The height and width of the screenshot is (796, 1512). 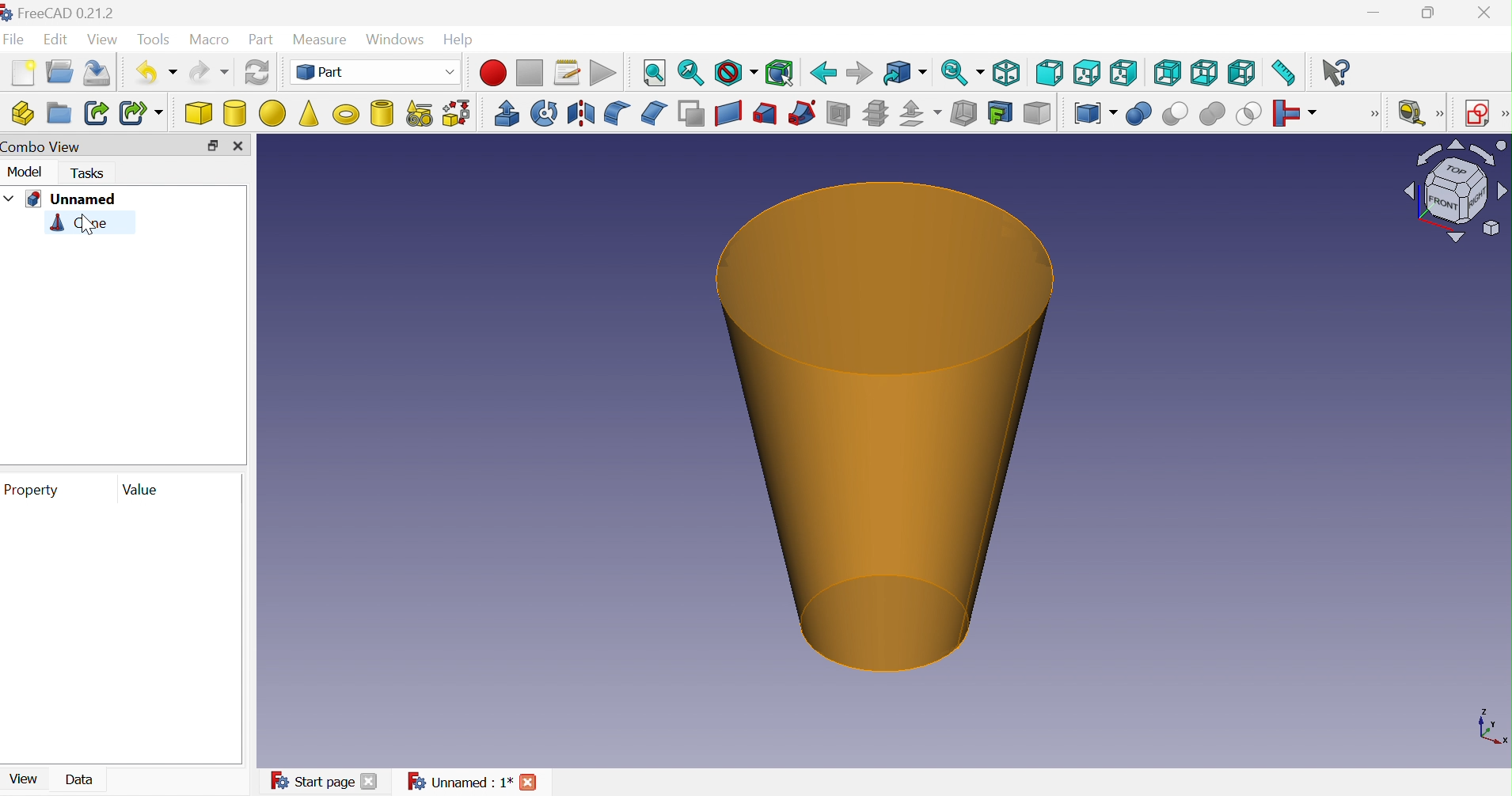 What do you see at coordinates (617, 112) in the screenshot?
I see `Fillet` at bounding box center [617, 112].